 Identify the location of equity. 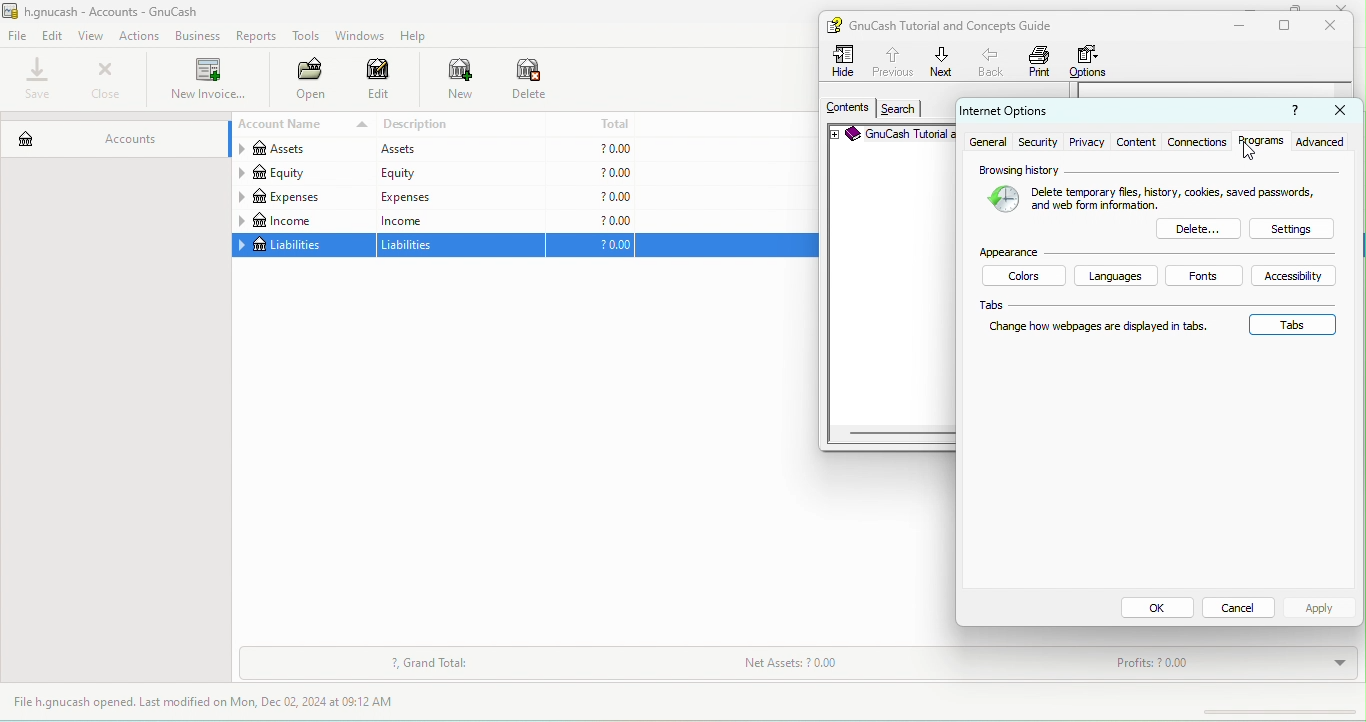
(301, 174).